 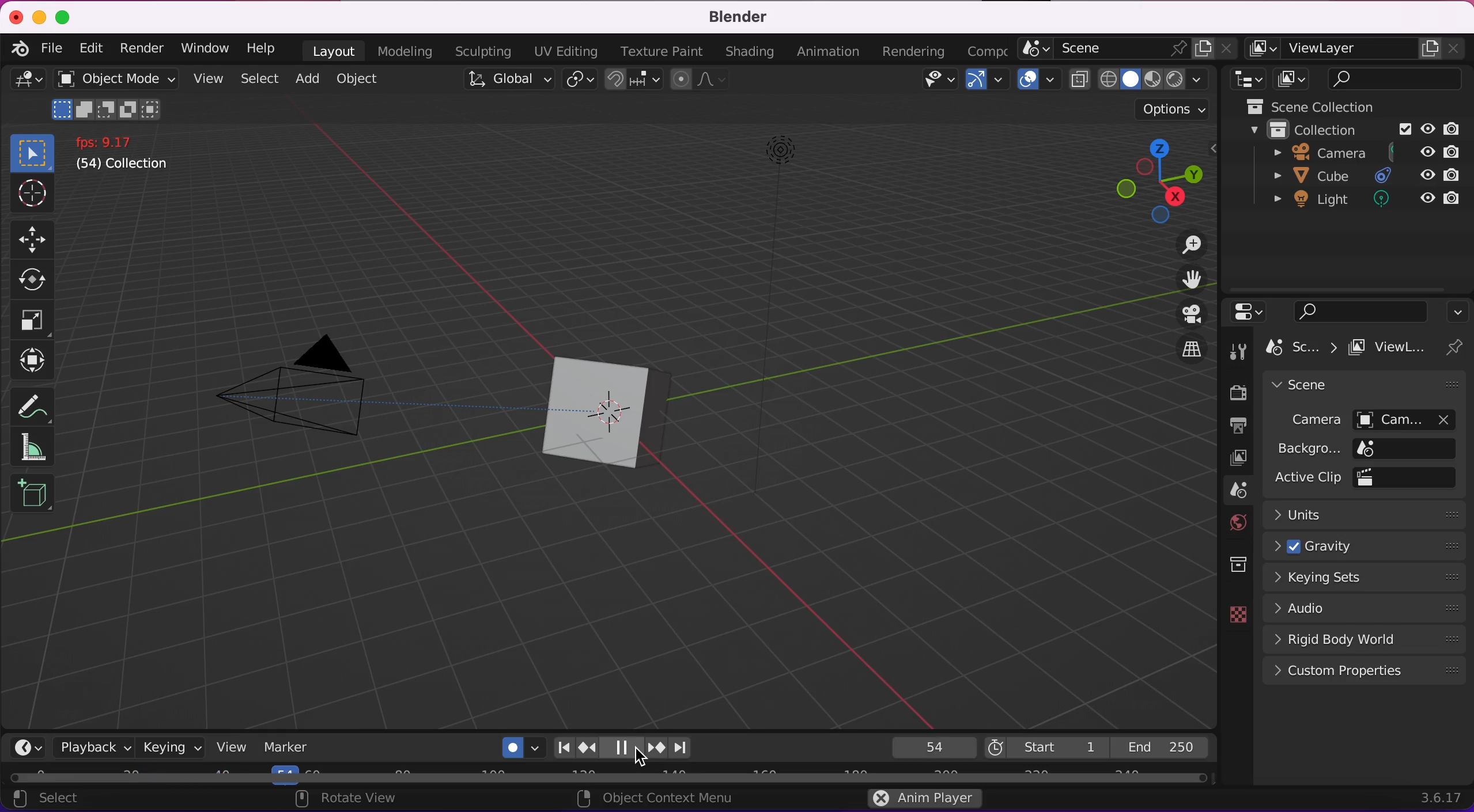 What do you see at coordinates (1152, 79) in the screenshot?
I see `shading` at bounding box center [1152, 79].